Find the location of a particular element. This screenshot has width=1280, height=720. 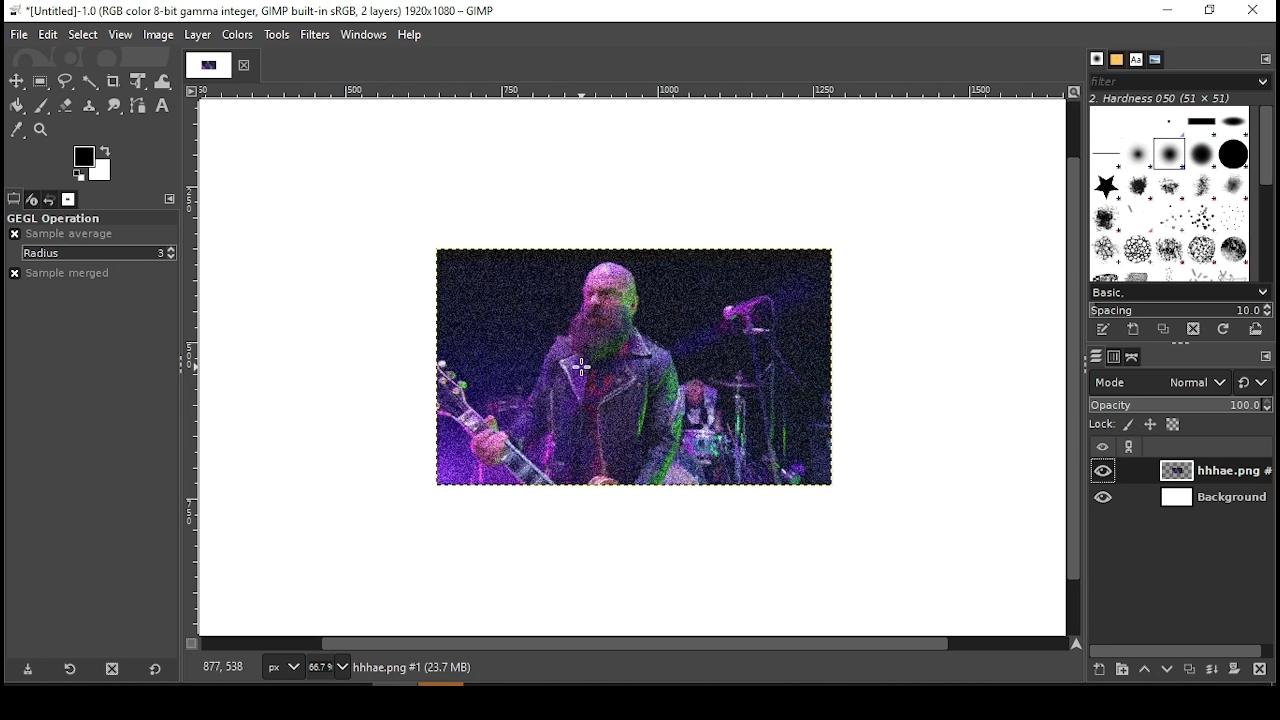

move layer on step down is located at coordinates (1172, 670).